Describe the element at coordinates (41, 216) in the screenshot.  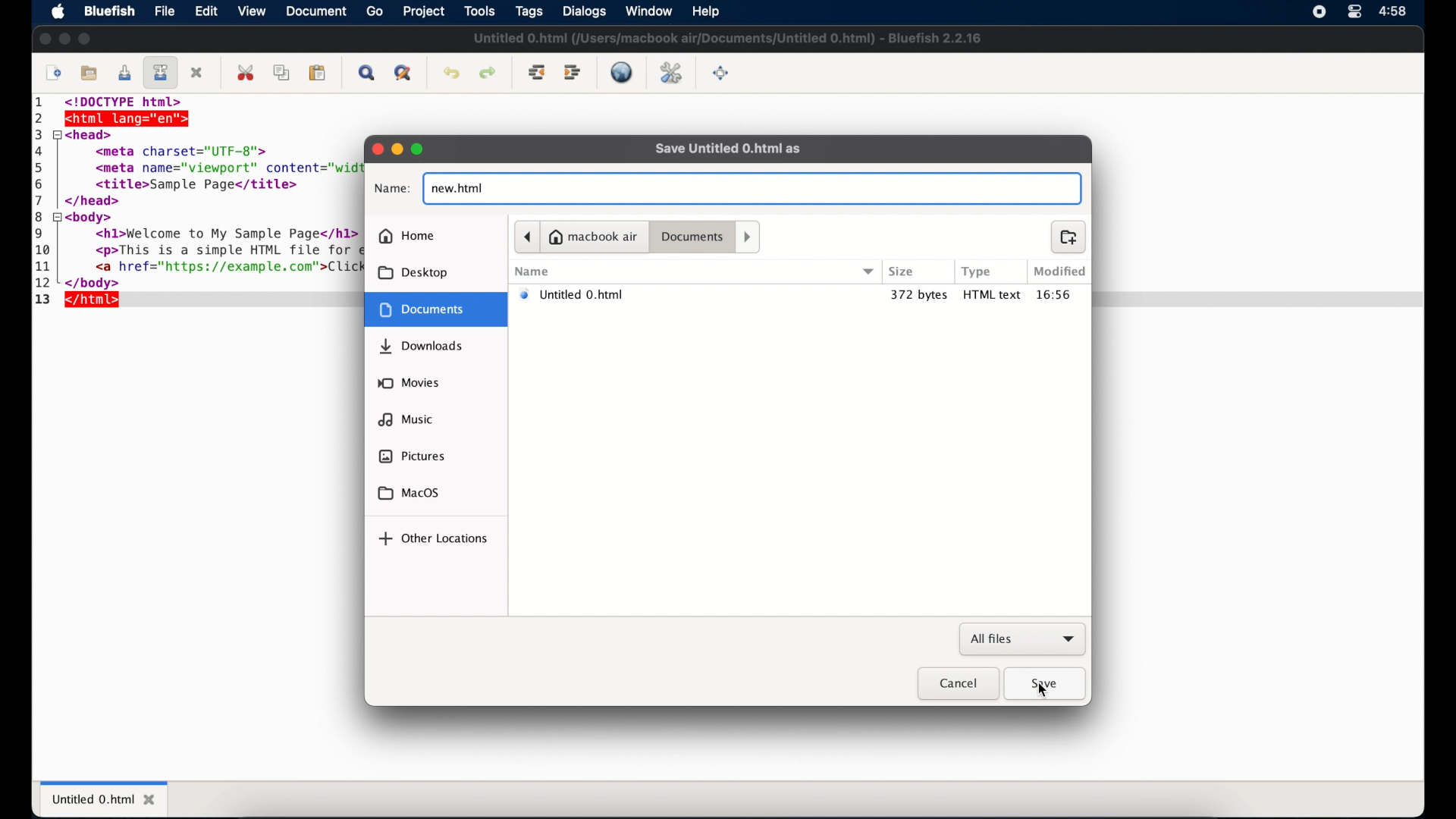
I see `8` at that location.